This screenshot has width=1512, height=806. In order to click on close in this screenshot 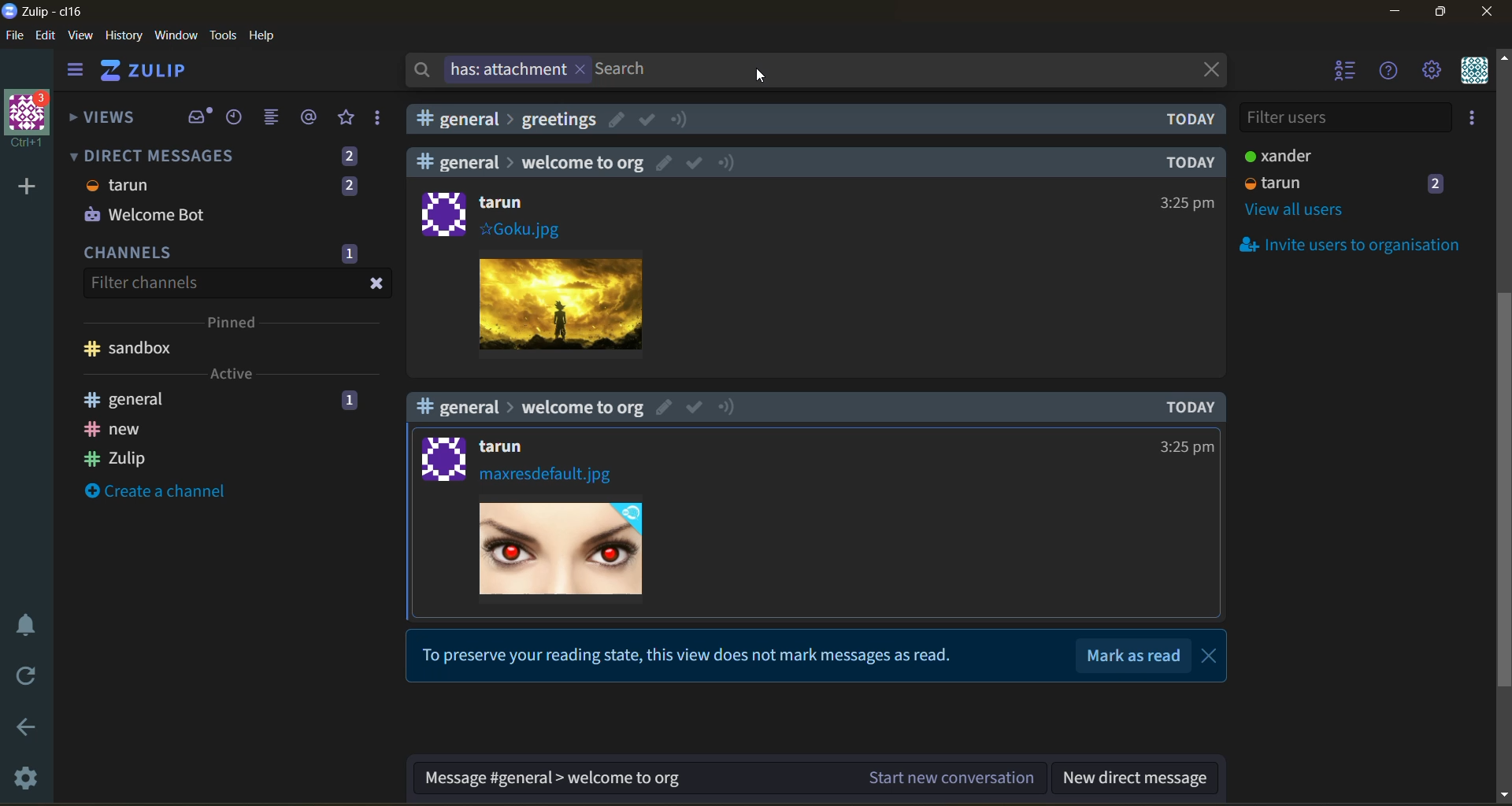, I will do `click(1212, 656)`.